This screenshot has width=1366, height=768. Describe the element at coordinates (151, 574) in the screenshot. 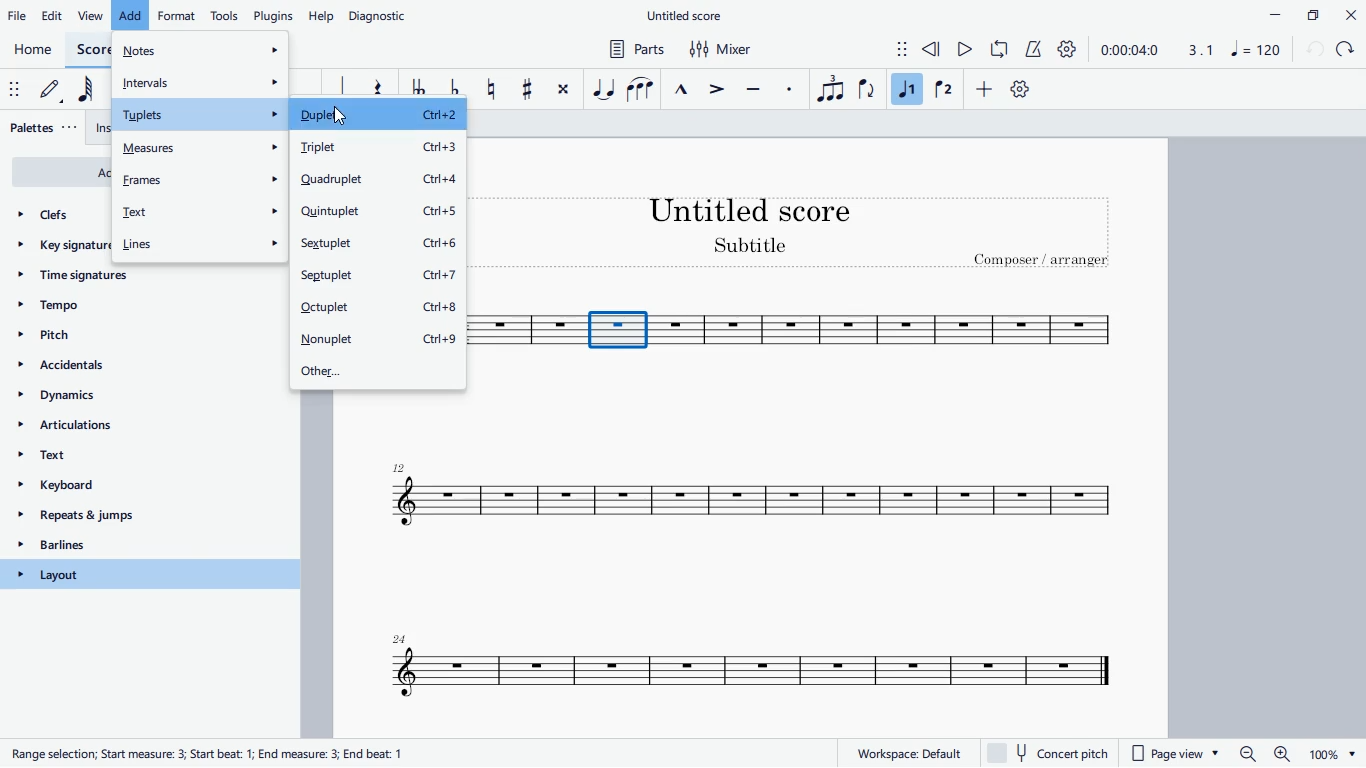

I see `selected palette` at that location.